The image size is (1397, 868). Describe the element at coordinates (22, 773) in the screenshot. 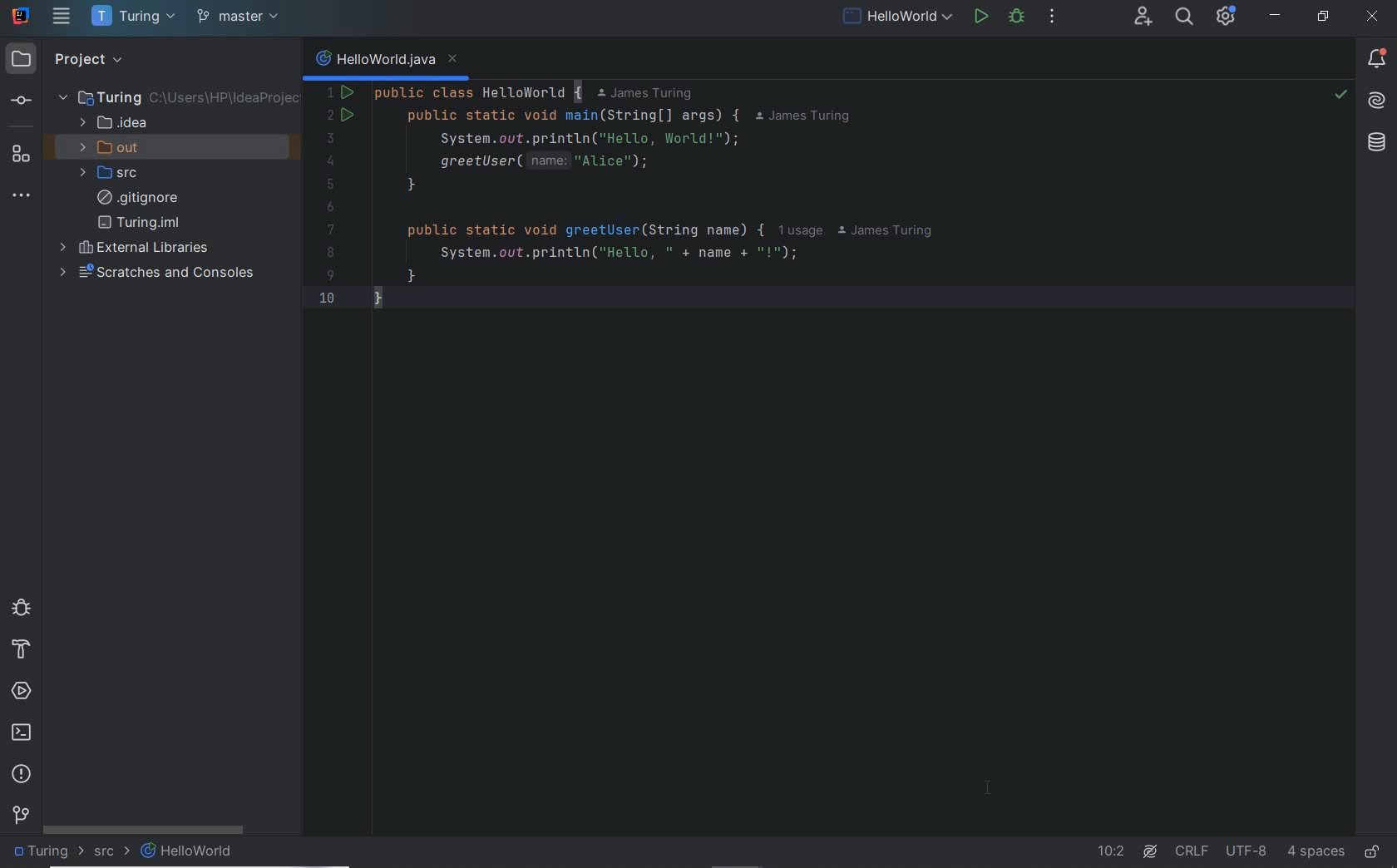

I see `problems` at that location.